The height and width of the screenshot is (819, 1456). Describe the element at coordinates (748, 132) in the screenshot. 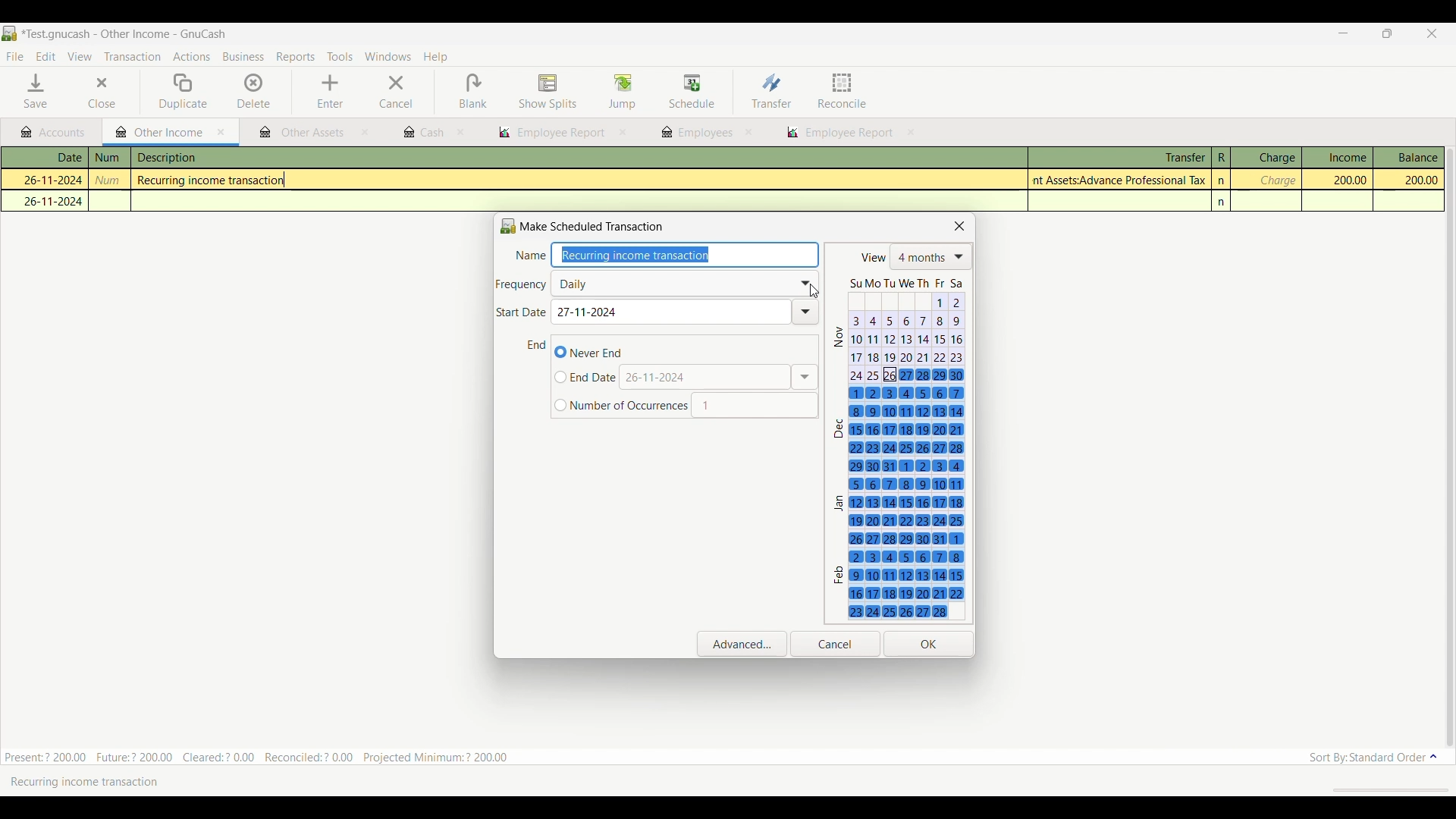

I see `close` at that location.